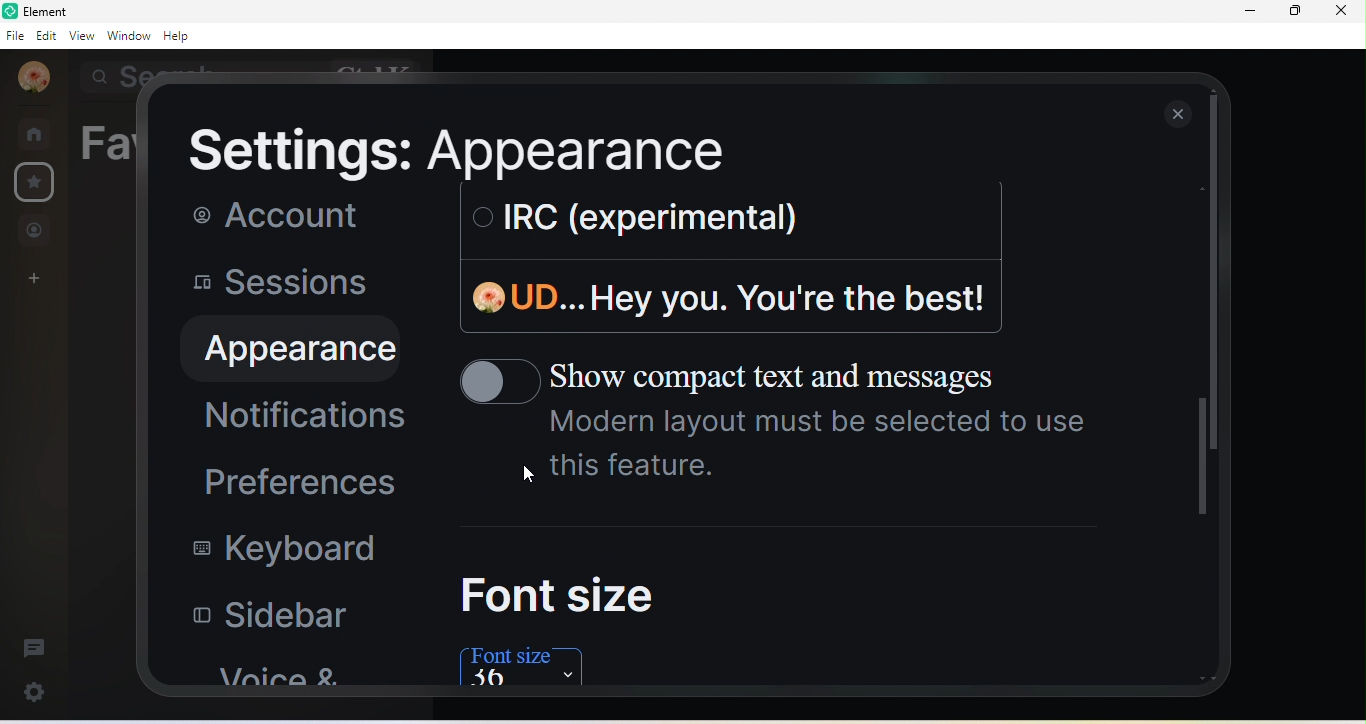  What do you see at coordinates (558, 593) in the screenshot?
I see `font size` at bounding box center [558, 593].